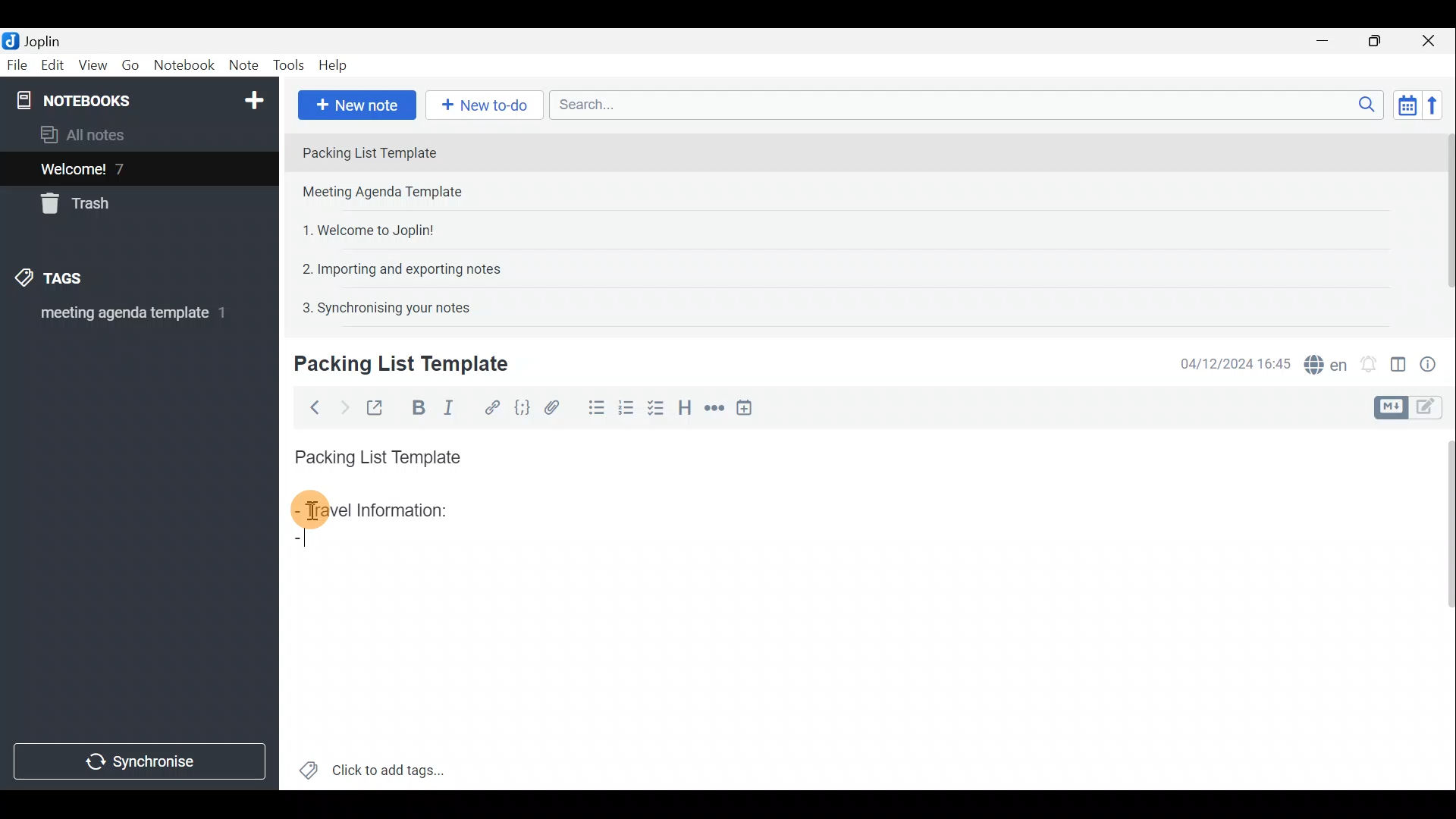  What do you see at coordinates (335, 67) in the screenshot?
I see `Help` at bounding box center [335, 67].